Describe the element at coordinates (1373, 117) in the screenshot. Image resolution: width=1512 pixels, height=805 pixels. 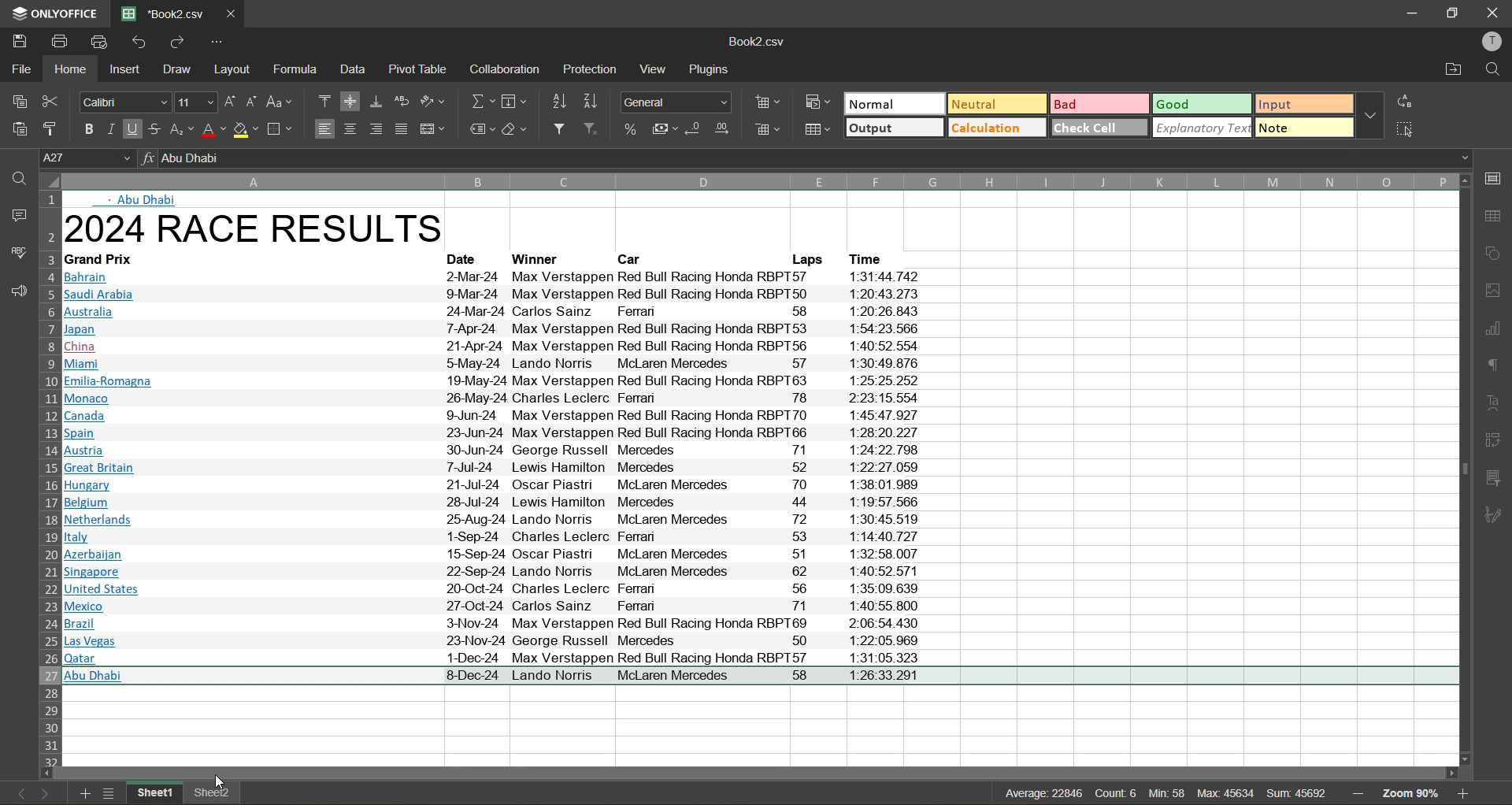
I see `more options` at that location.